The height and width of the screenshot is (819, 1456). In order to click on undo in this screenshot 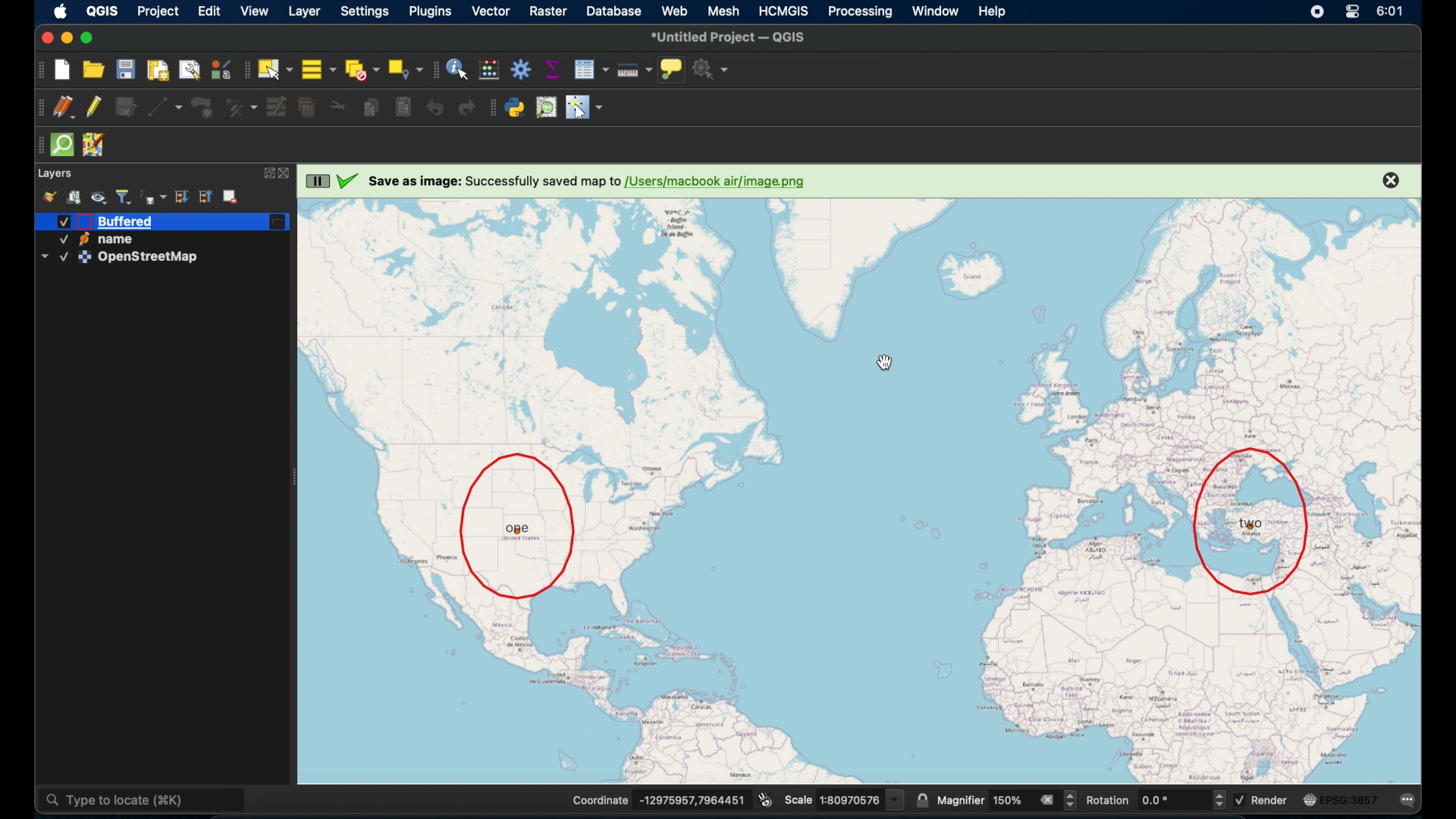, I will do `click(434, 108)`.